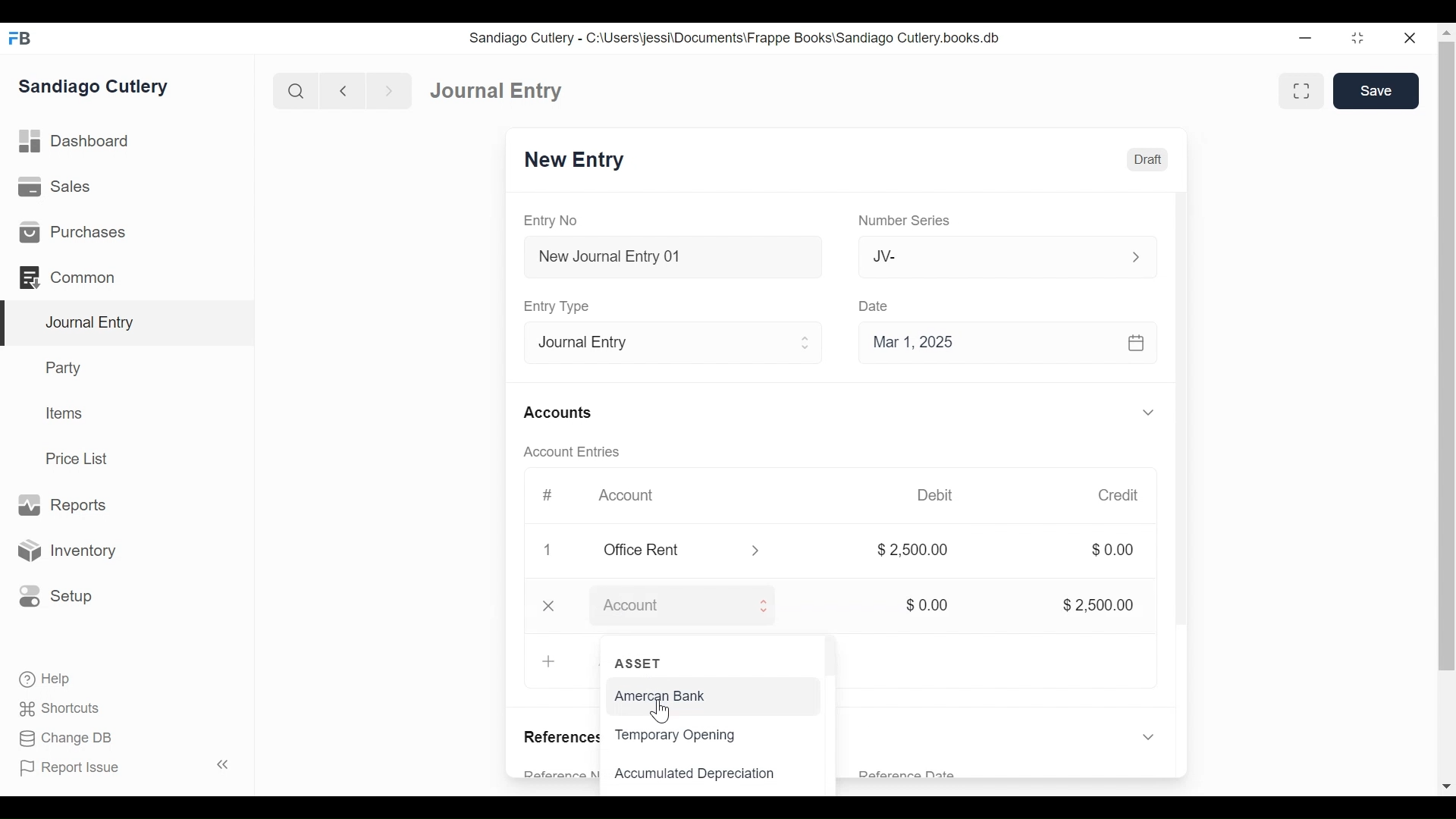 The image size is (1456, 819). Describe the element at coordinates (662, 712) in the screenshot. I see `cursor` at that location.